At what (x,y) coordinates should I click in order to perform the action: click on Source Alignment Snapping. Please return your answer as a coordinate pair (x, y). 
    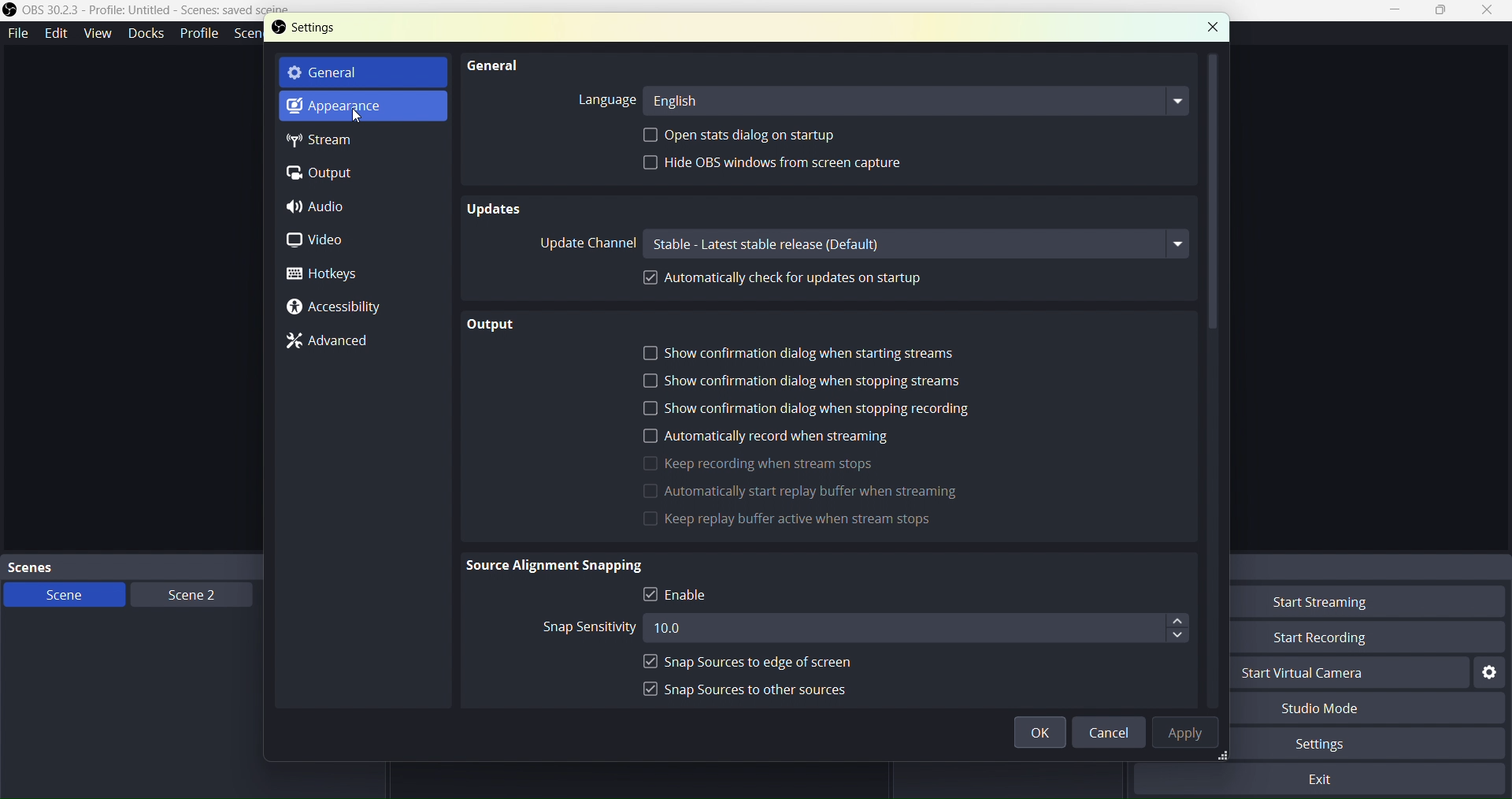
    Looking at the image, I should click on (564, 565).